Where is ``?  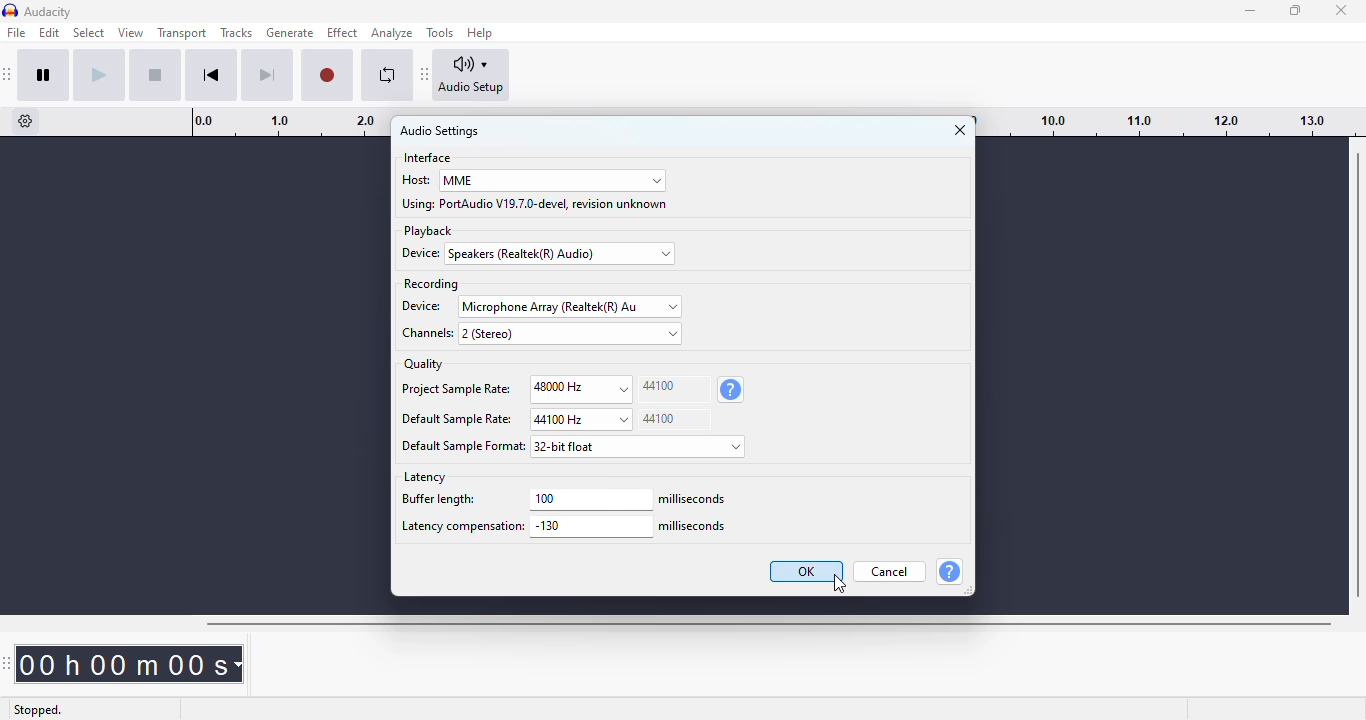
 is located at coordinates (464, 446).